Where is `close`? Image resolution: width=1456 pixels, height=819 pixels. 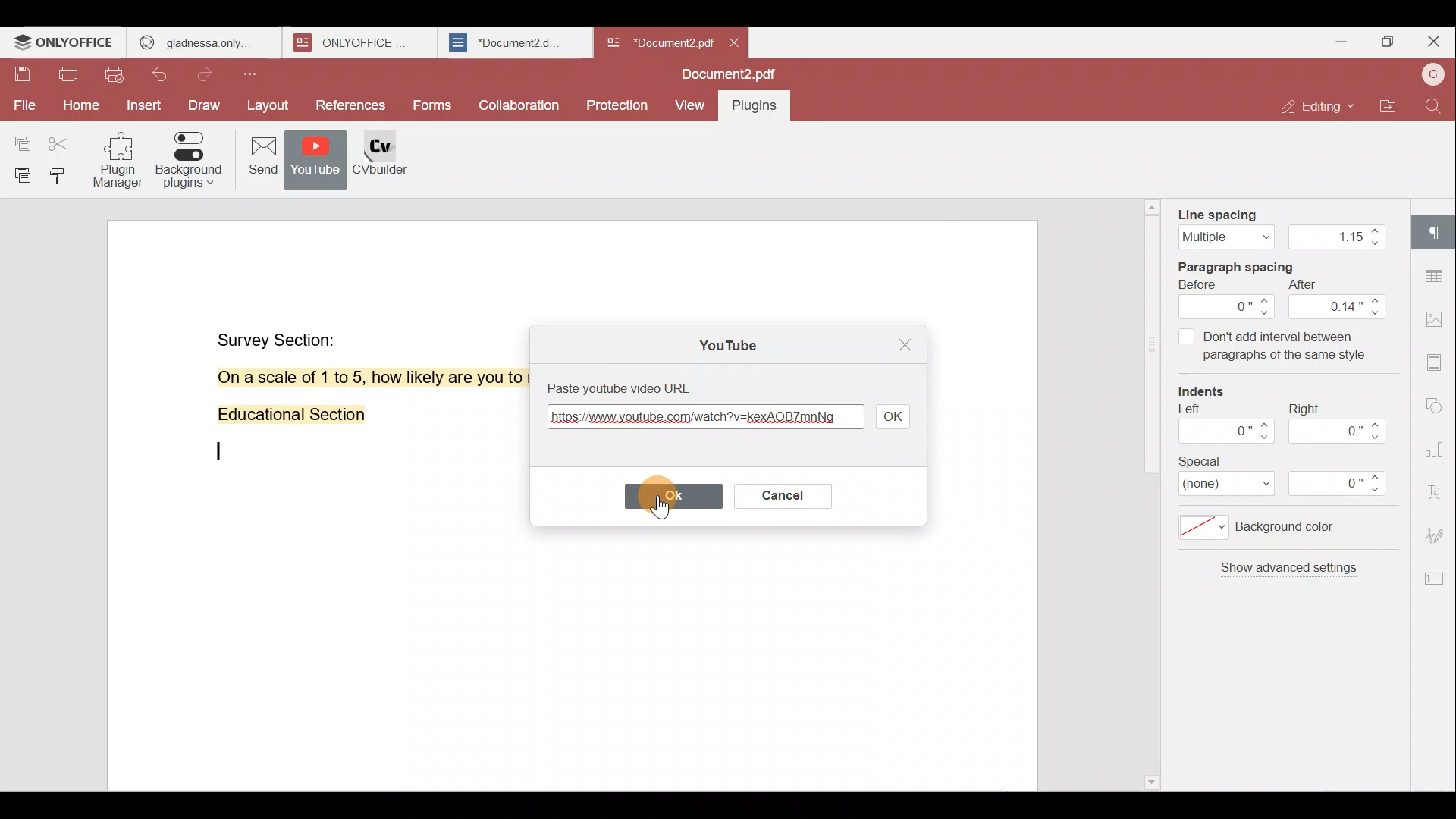
close is located at coordinates (734, 42).